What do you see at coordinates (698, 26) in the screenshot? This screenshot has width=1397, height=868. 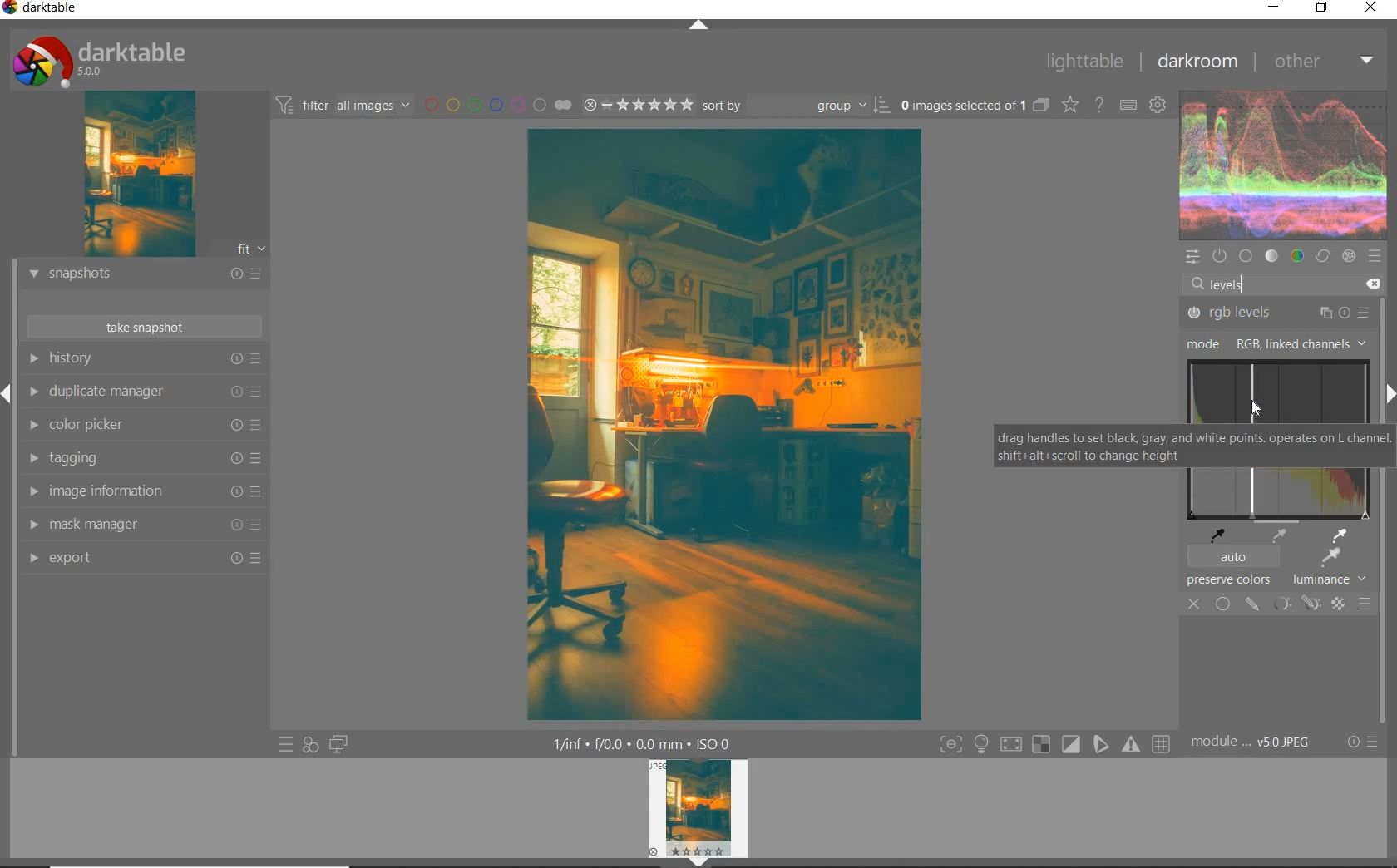 I see `expand/collapse` at bounding box center [698, 26].